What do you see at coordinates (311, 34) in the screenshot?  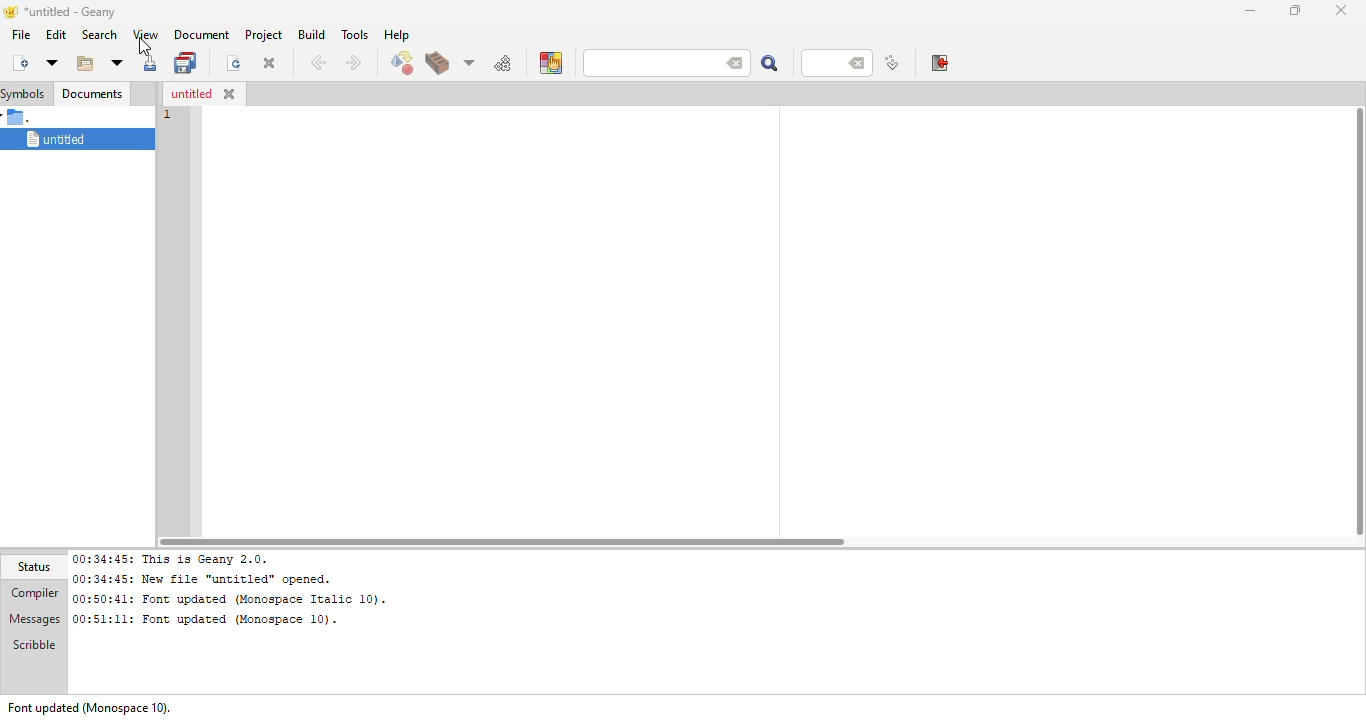 I see `build` at bounding box center [311, 34].